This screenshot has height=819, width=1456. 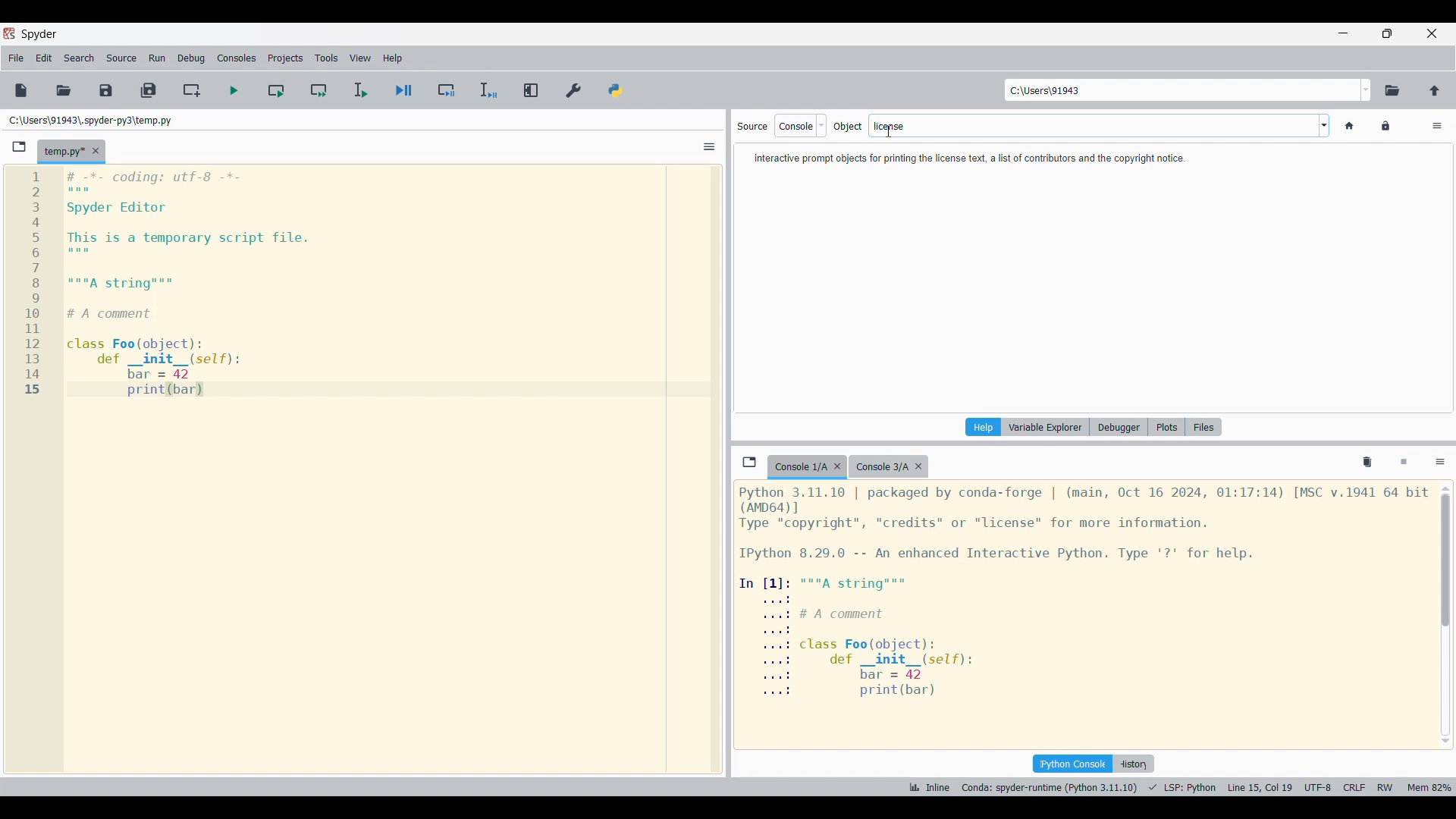 What do you see at coordinates (91, 121) in the screenshot?
I see `File location` at bounding box center [91, 121].